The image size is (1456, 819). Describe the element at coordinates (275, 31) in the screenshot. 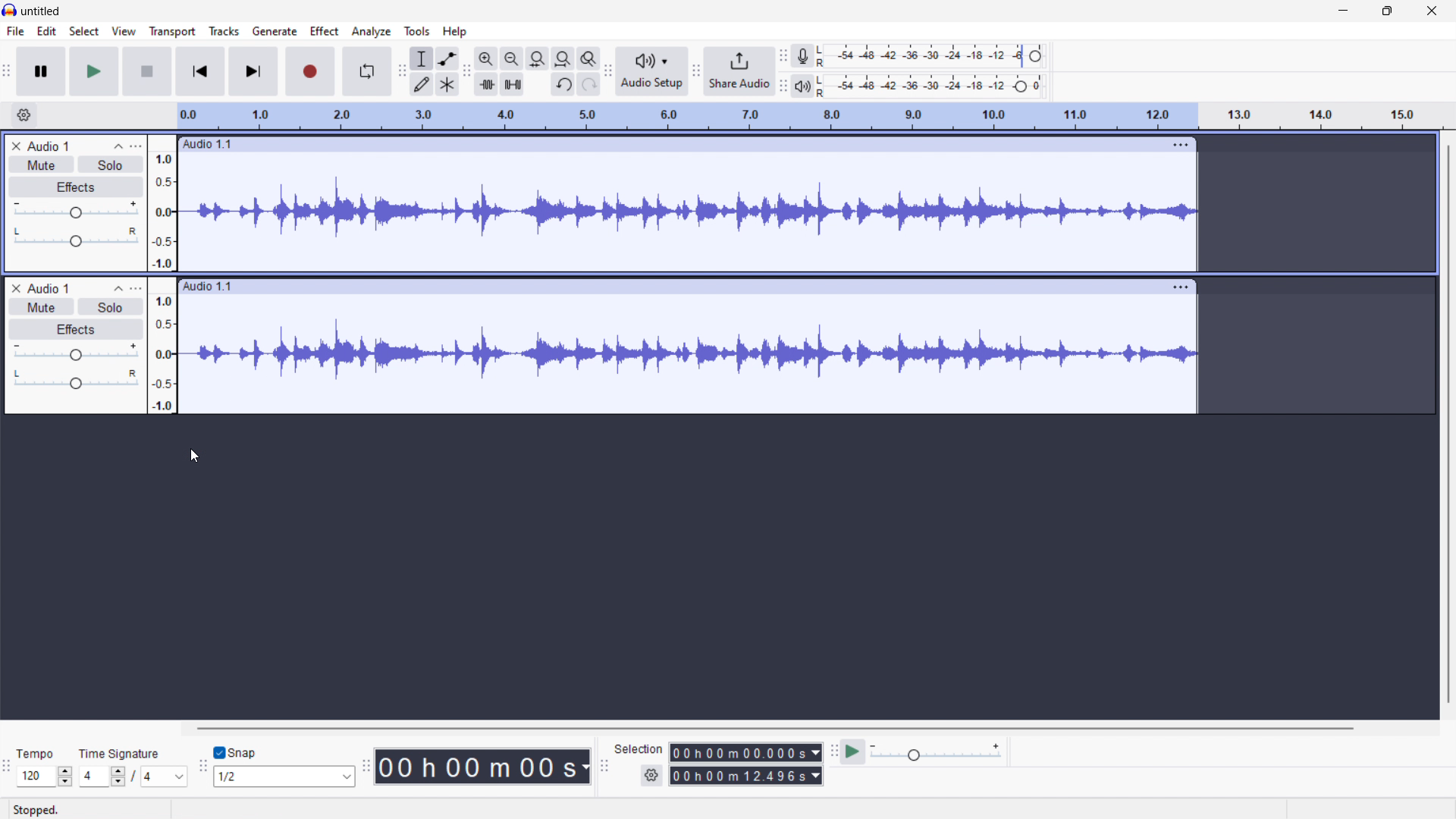

I see `generate` at that location.